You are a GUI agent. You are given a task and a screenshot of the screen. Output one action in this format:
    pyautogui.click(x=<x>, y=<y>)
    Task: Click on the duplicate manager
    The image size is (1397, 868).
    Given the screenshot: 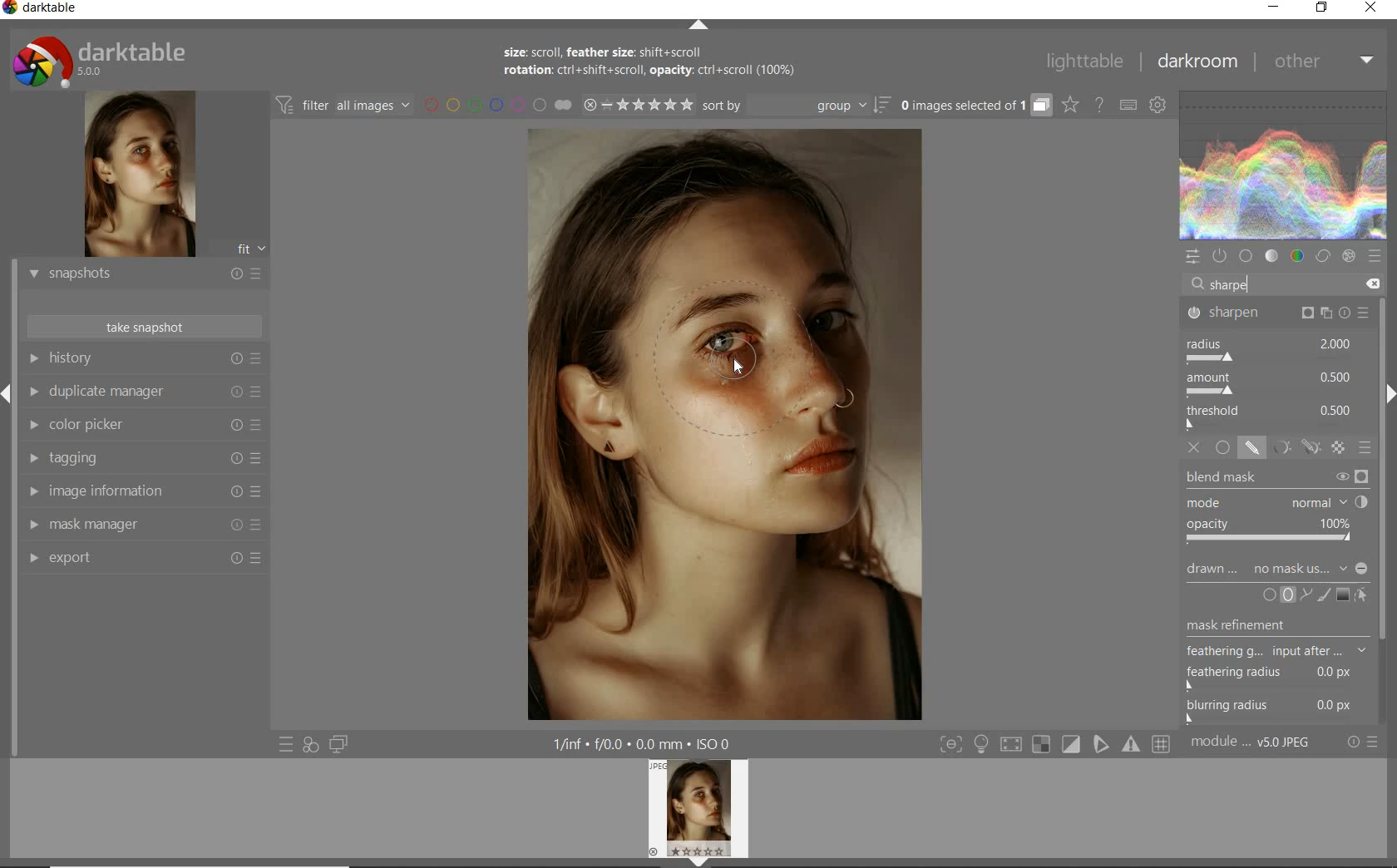 What is the action you would take?
    pyautogui.click(x=144, y=394)
    